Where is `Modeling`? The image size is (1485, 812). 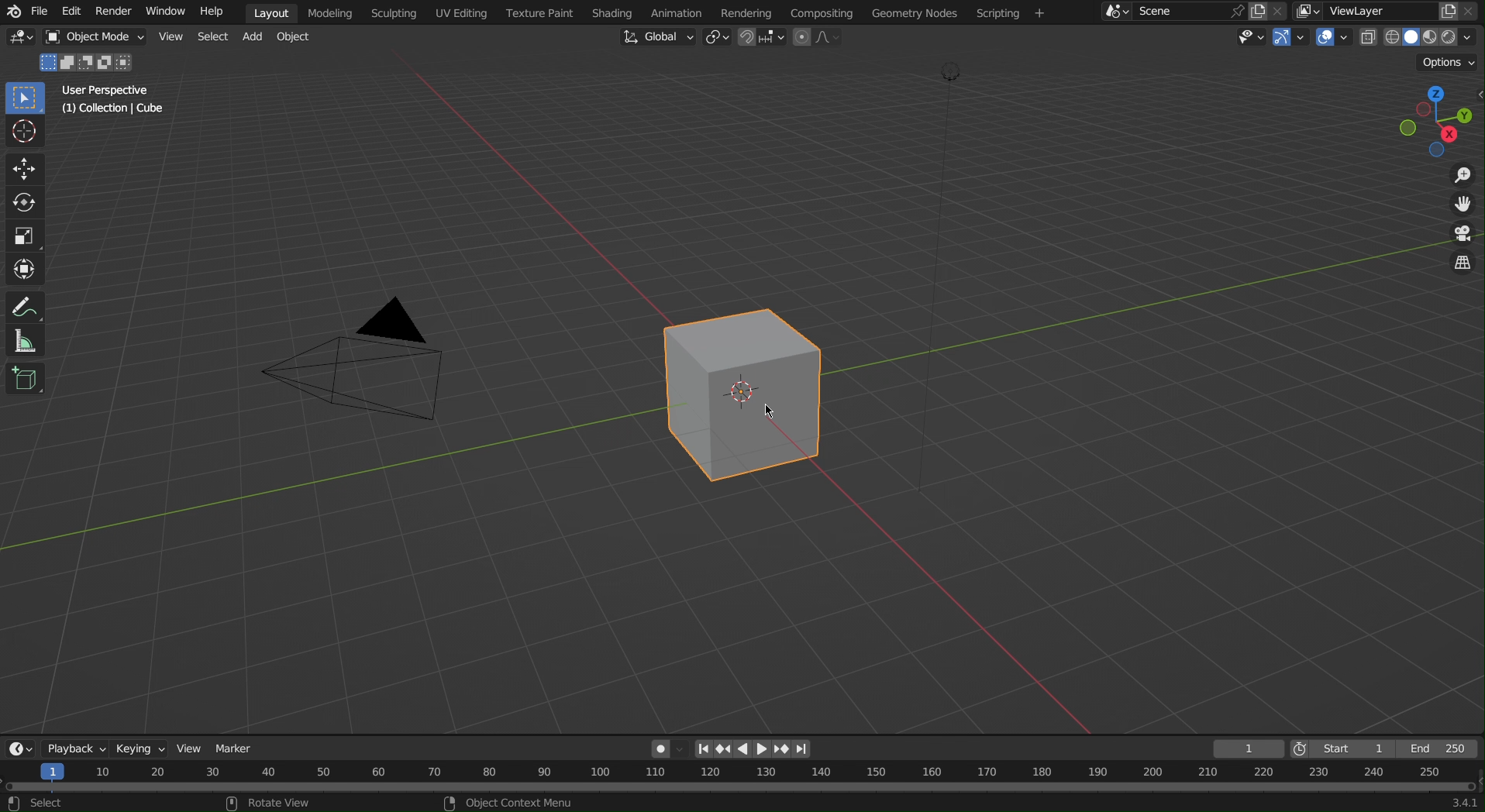 Modeling is located at coordinates (326, 12).